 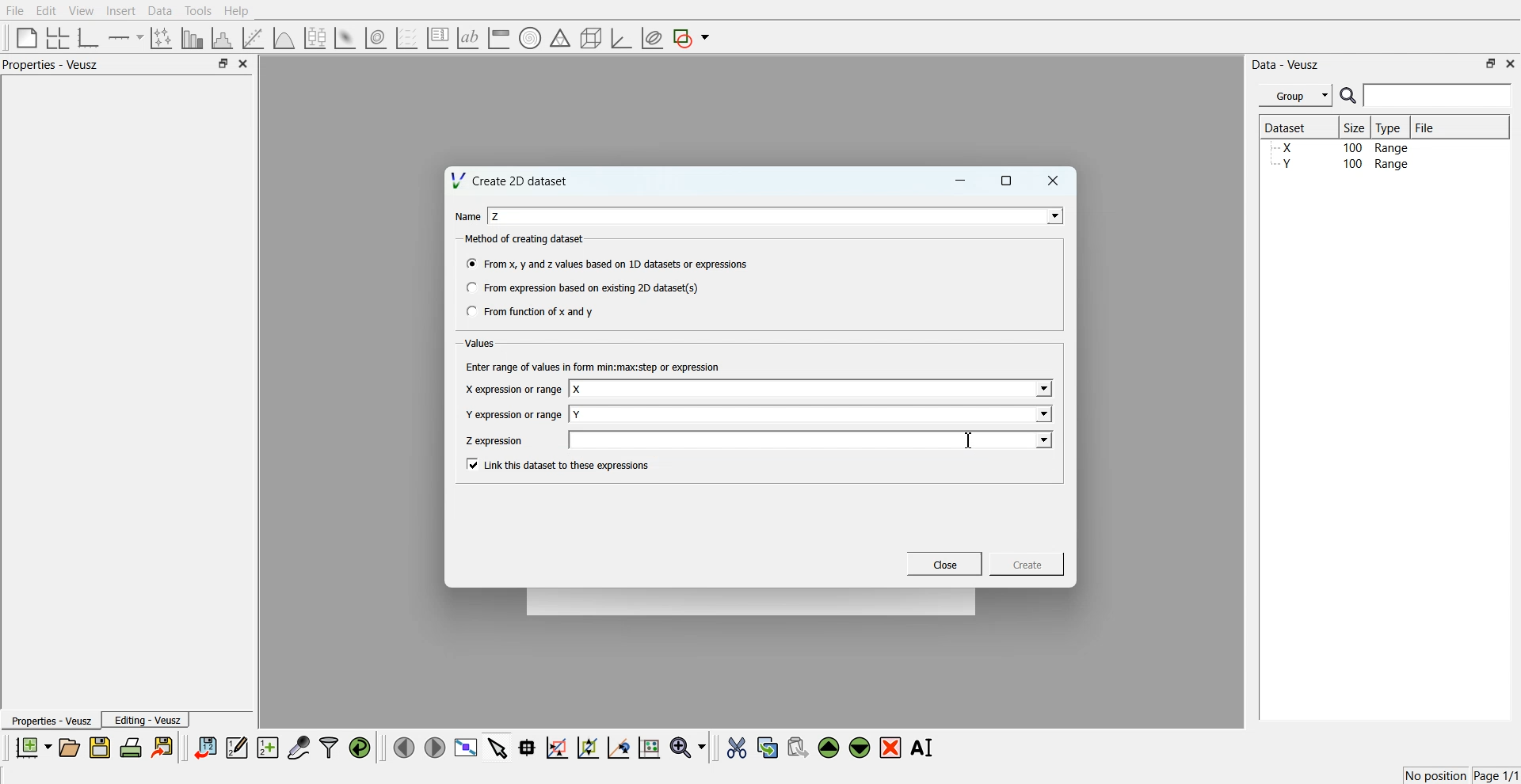 I want to click on Polar Graph, so click(x=530, y=38).